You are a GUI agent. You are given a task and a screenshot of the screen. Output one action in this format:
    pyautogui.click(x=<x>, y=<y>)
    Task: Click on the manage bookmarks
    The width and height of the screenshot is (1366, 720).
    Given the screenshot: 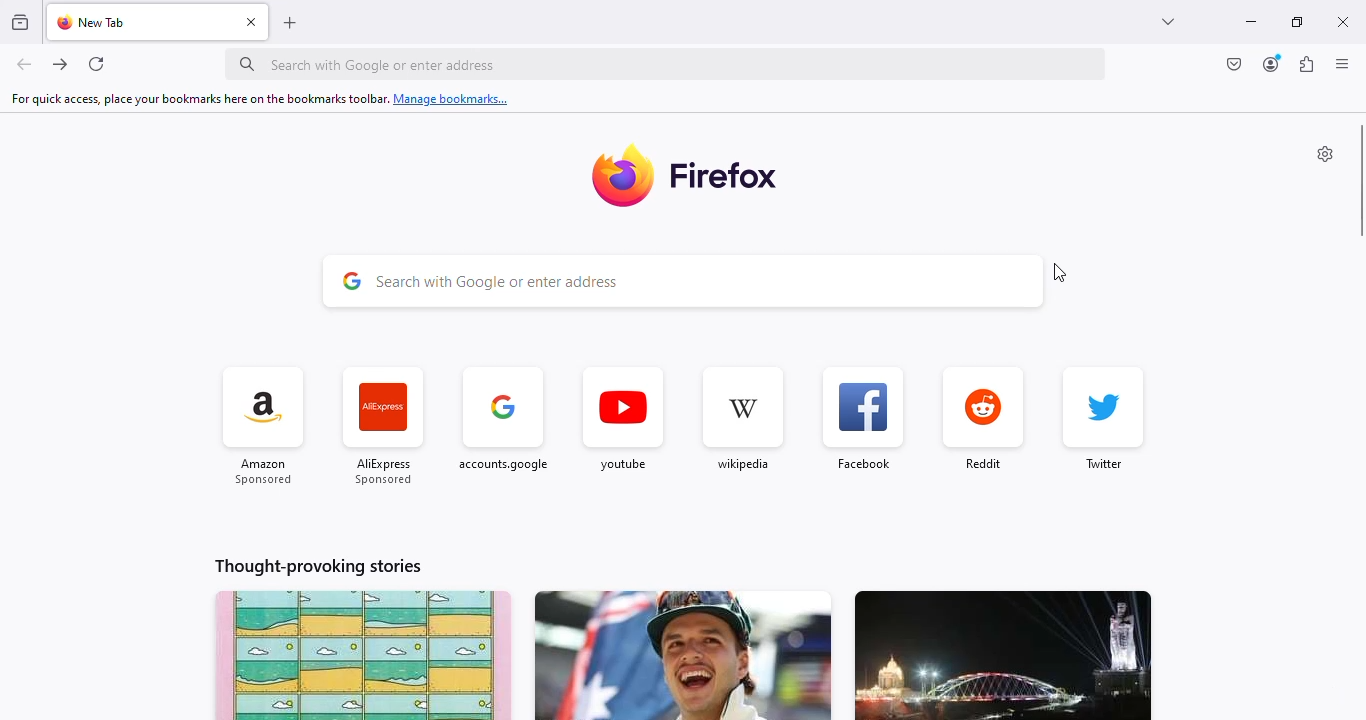 What is the action you would take?
    pyautogui.click(x=261, y=98)
    